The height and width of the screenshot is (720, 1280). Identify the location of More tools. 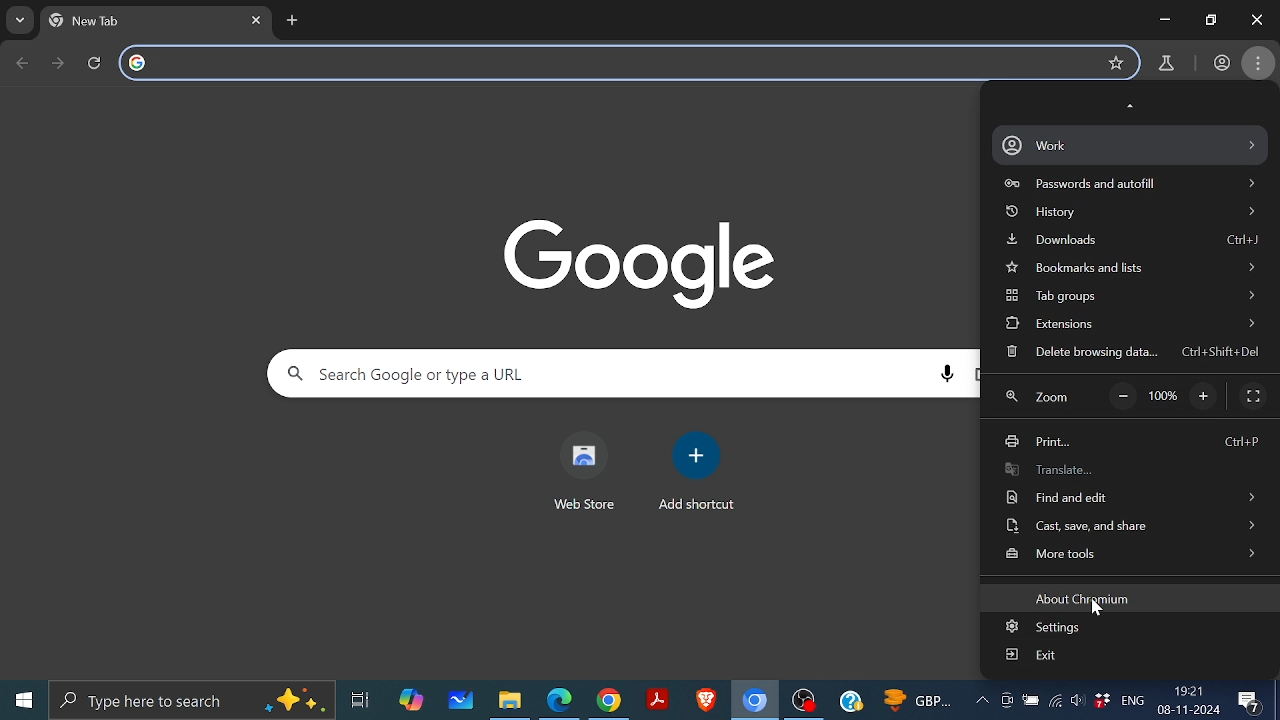
(1130, 552).